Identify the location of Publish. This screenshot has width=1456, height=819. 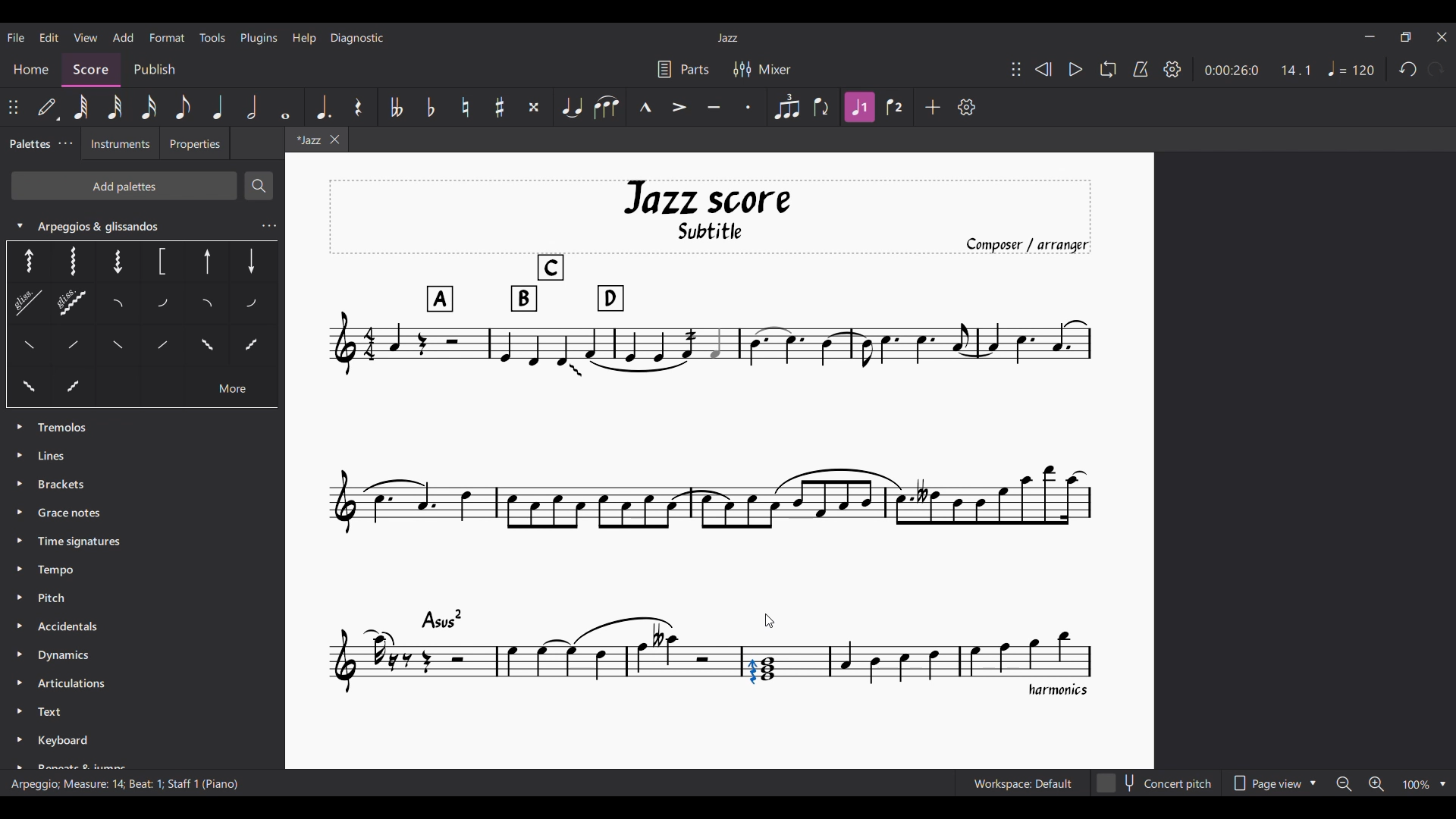
(155, 68).